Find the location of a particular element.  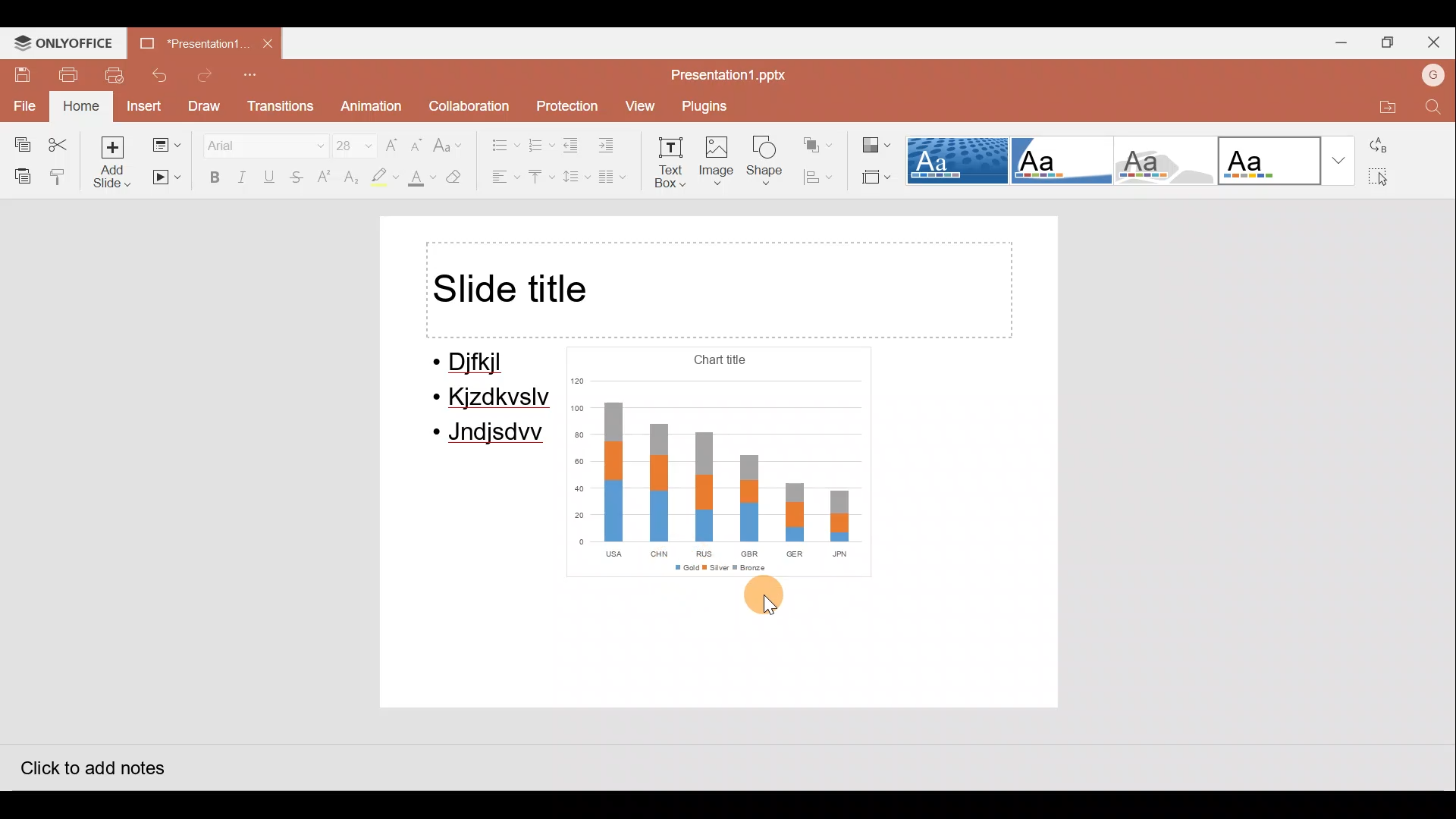

Decrease font size is located at coordinates (419, 140).